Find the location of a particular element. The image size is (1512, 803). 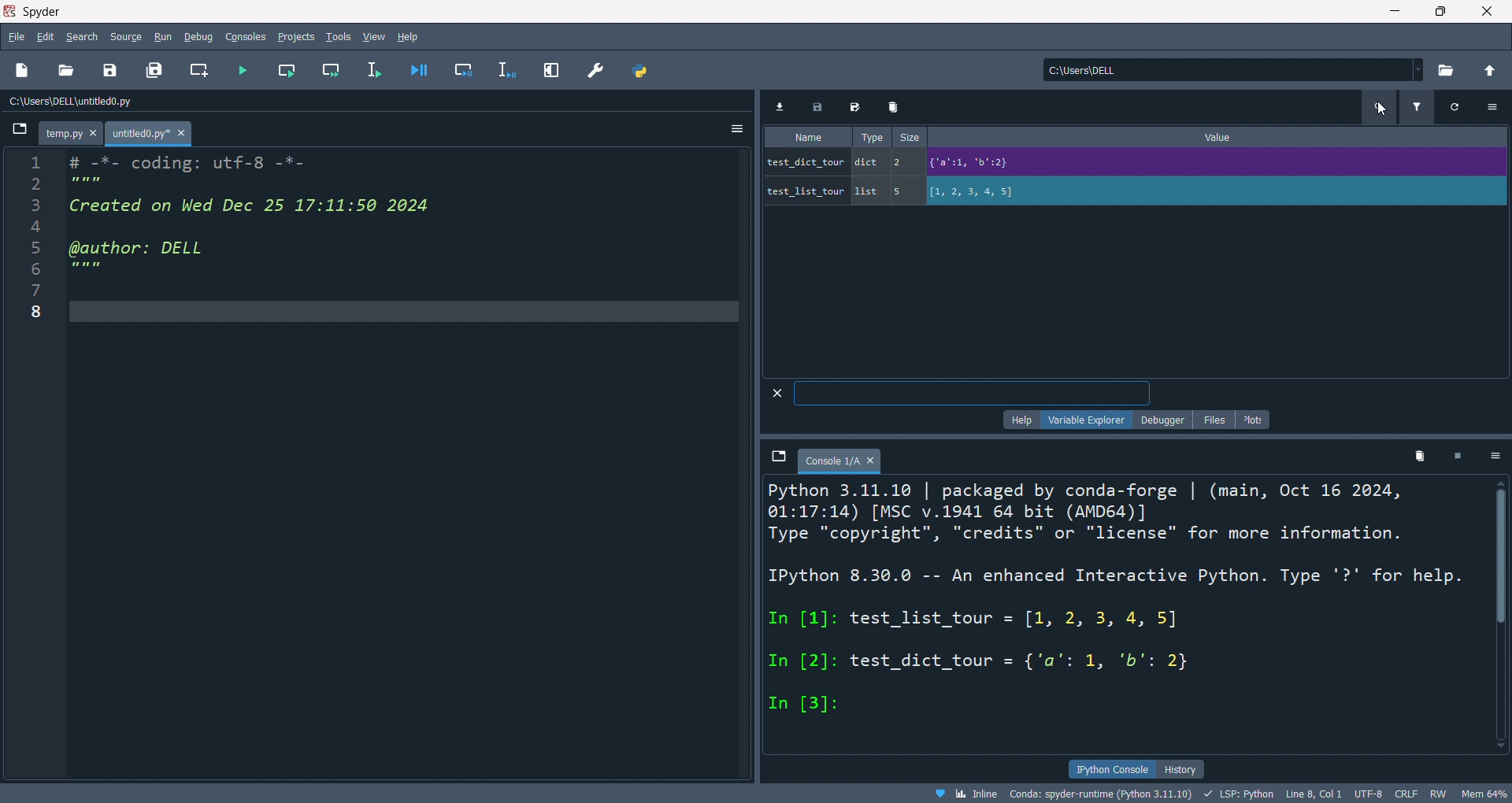

file path is located at coordinates (151, 105).